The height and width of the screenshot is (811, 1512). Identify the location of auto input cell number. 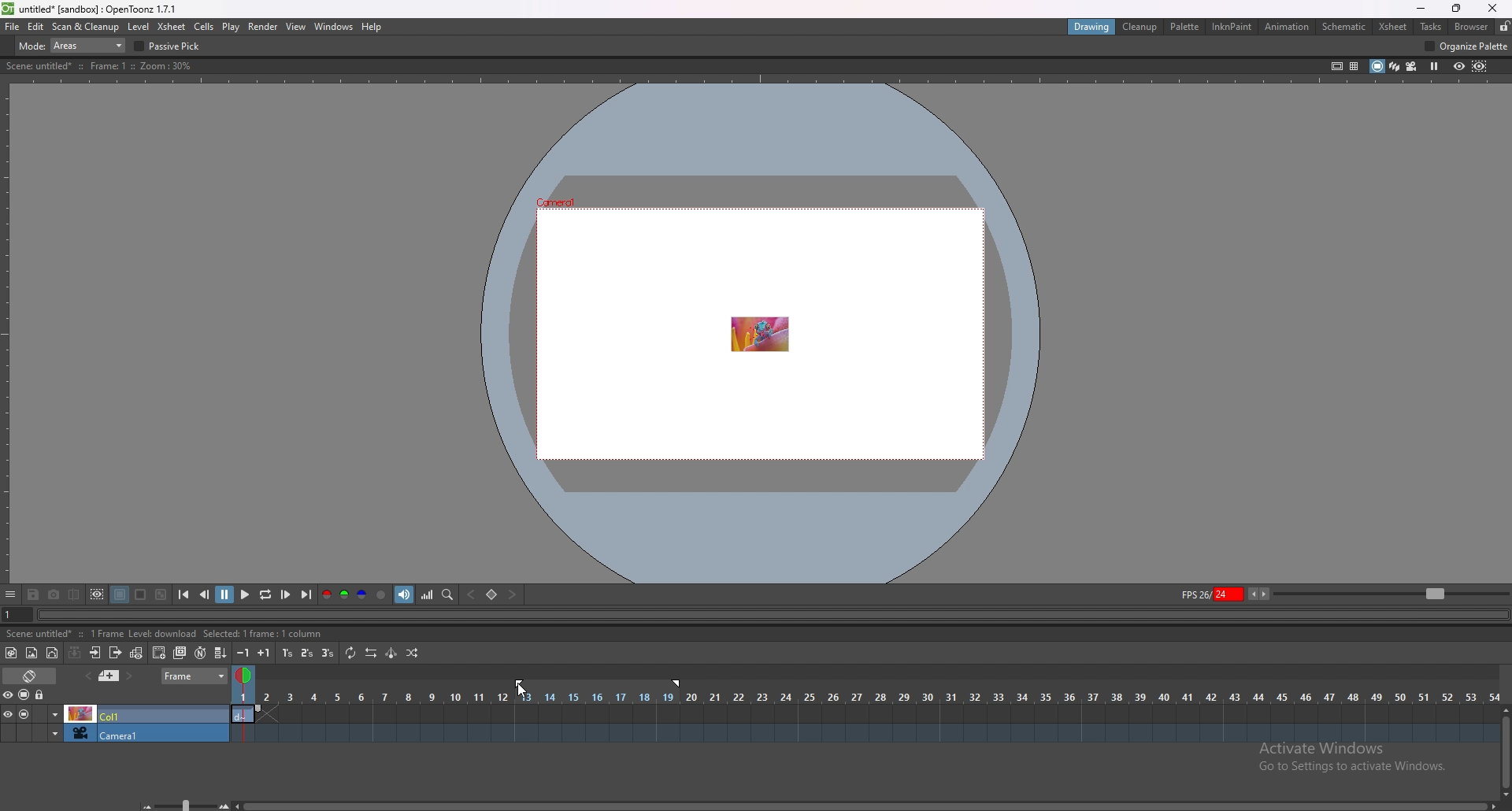
(200, 653).